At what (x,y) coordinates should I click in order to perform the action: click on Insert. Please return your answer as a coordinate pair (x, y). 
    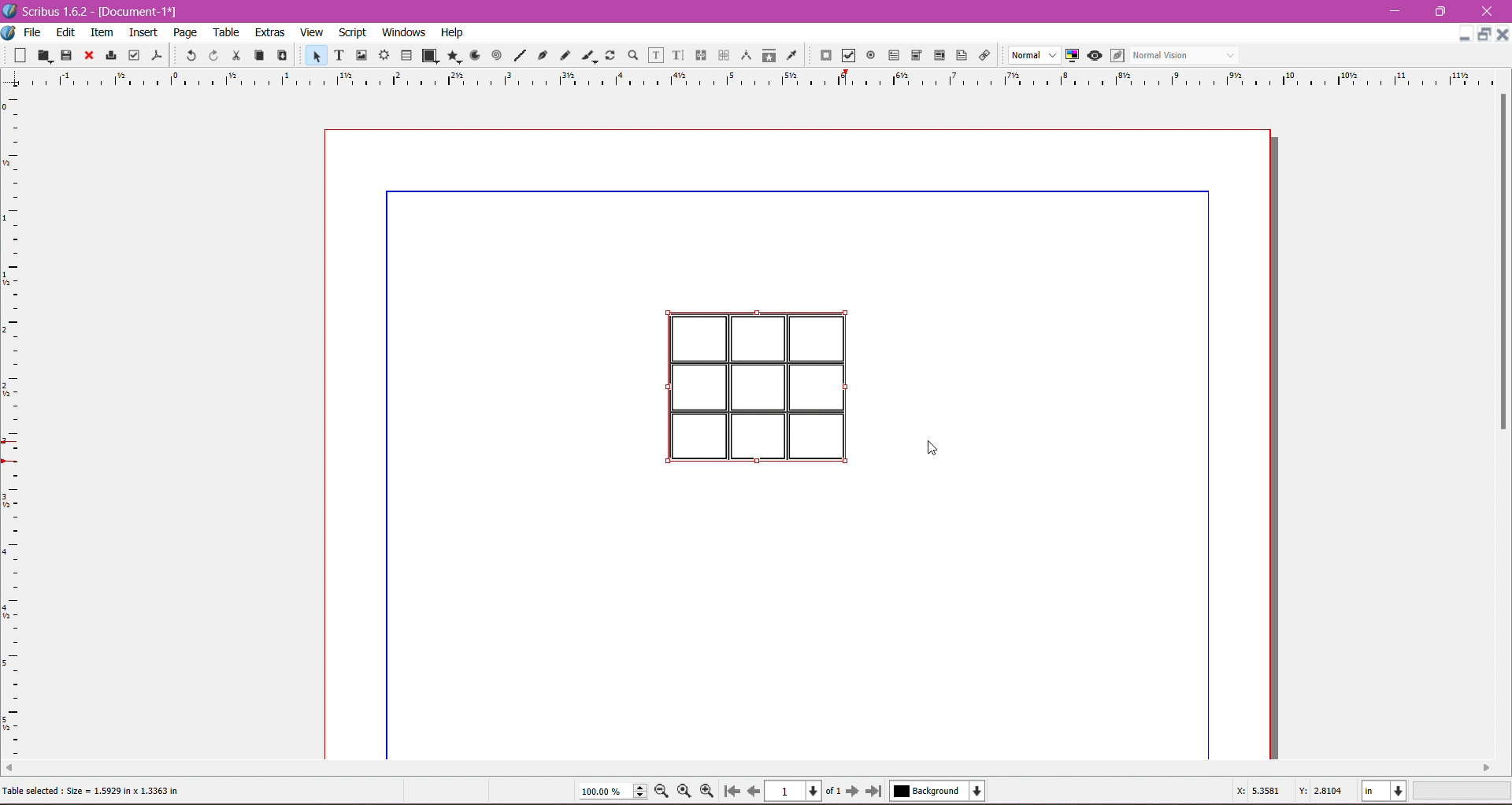
    Looking at the image, I should click on (143, 30).